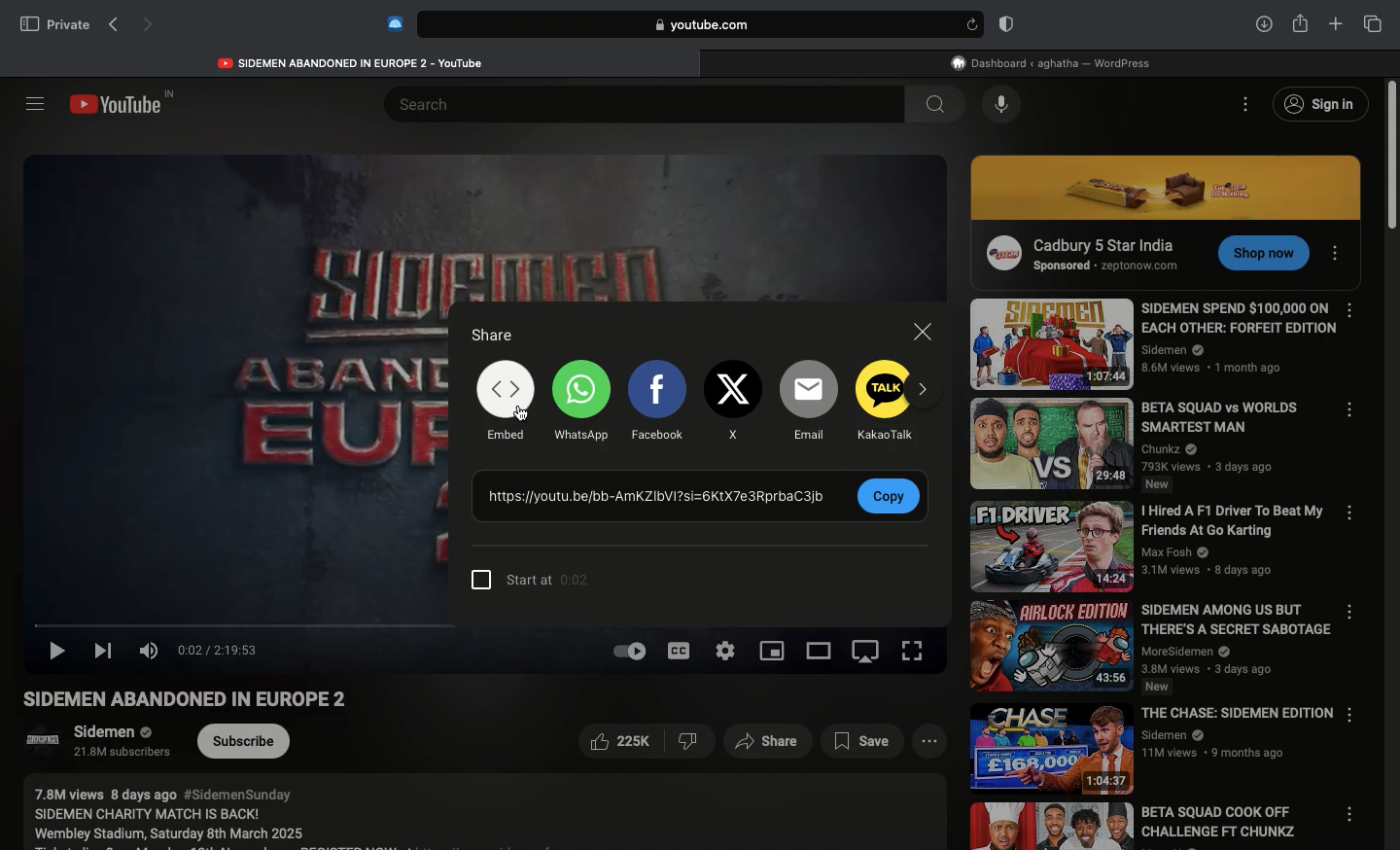 The height and width of the screenshot is (850, 1400). I want to click on WhatsApp, so click(581, 404).